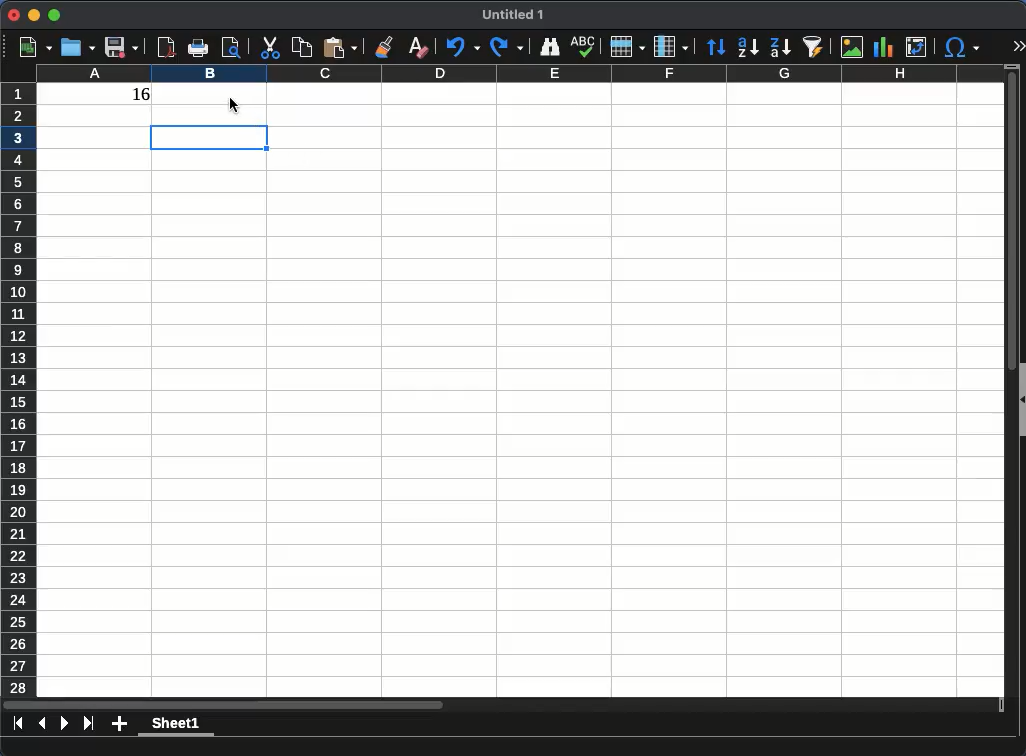  Describe the element at coordinates (19, 388) in the screenshot. I see `rows` at that location.